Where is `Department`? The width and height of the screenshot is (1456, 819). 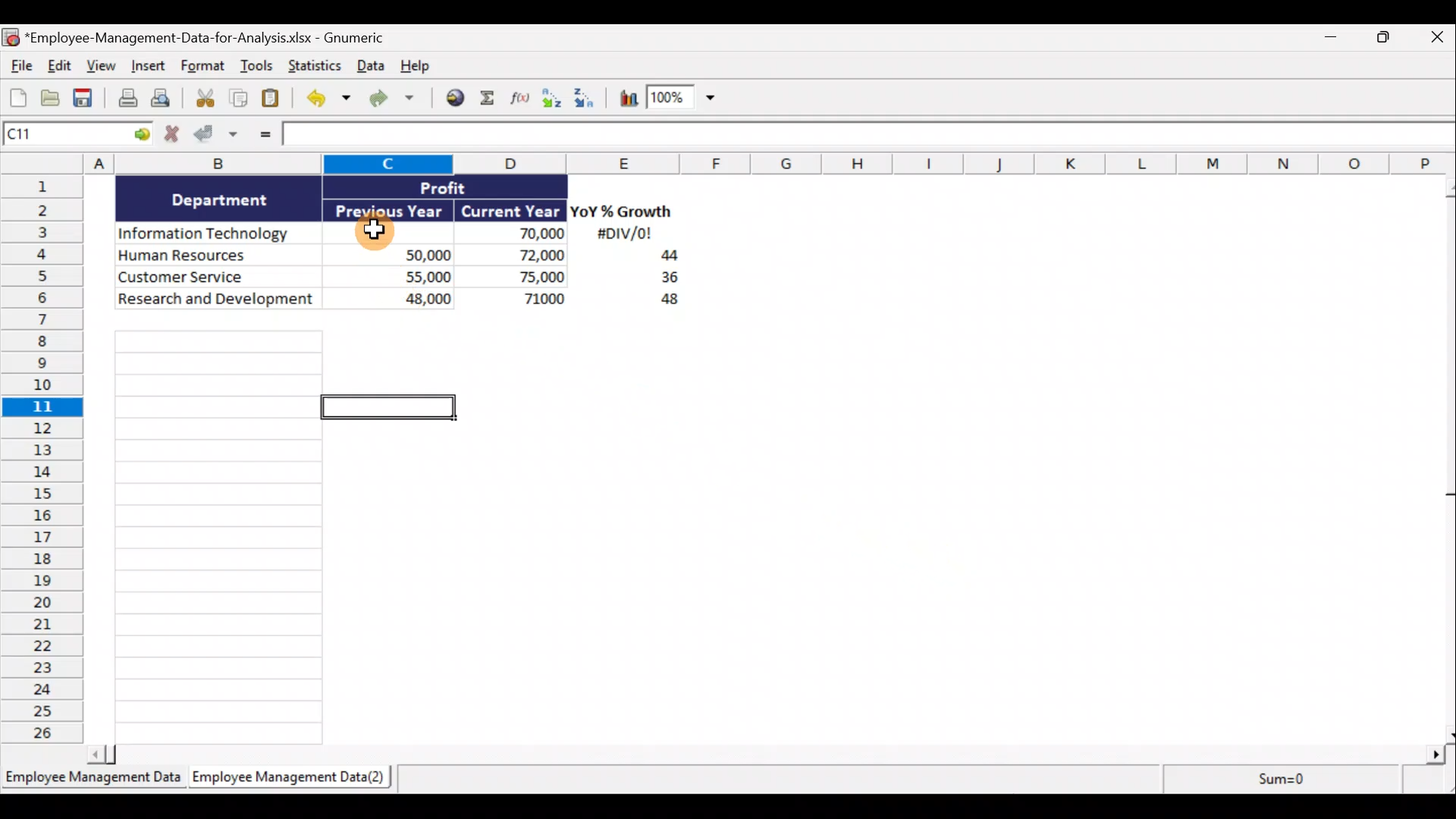 Department is located at coordinates (220, 199).